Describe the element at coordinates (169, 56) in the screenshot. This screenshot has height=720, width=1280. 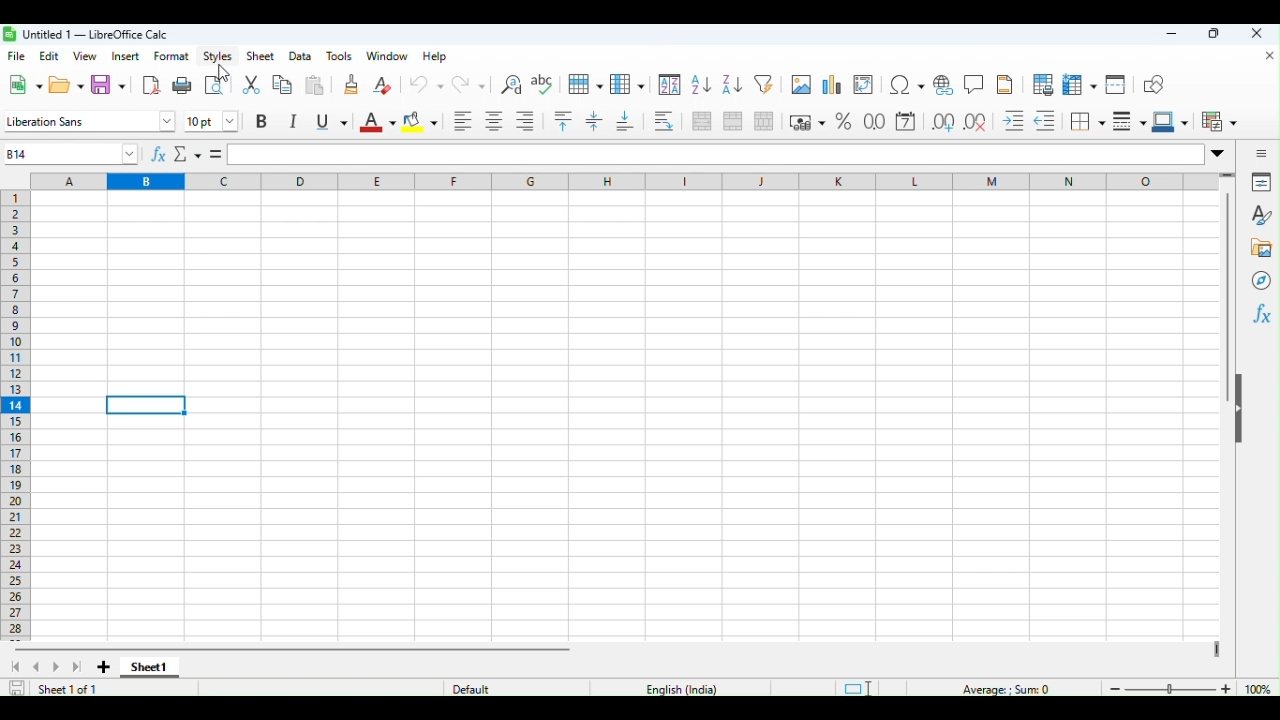
I see `Format` at that location.